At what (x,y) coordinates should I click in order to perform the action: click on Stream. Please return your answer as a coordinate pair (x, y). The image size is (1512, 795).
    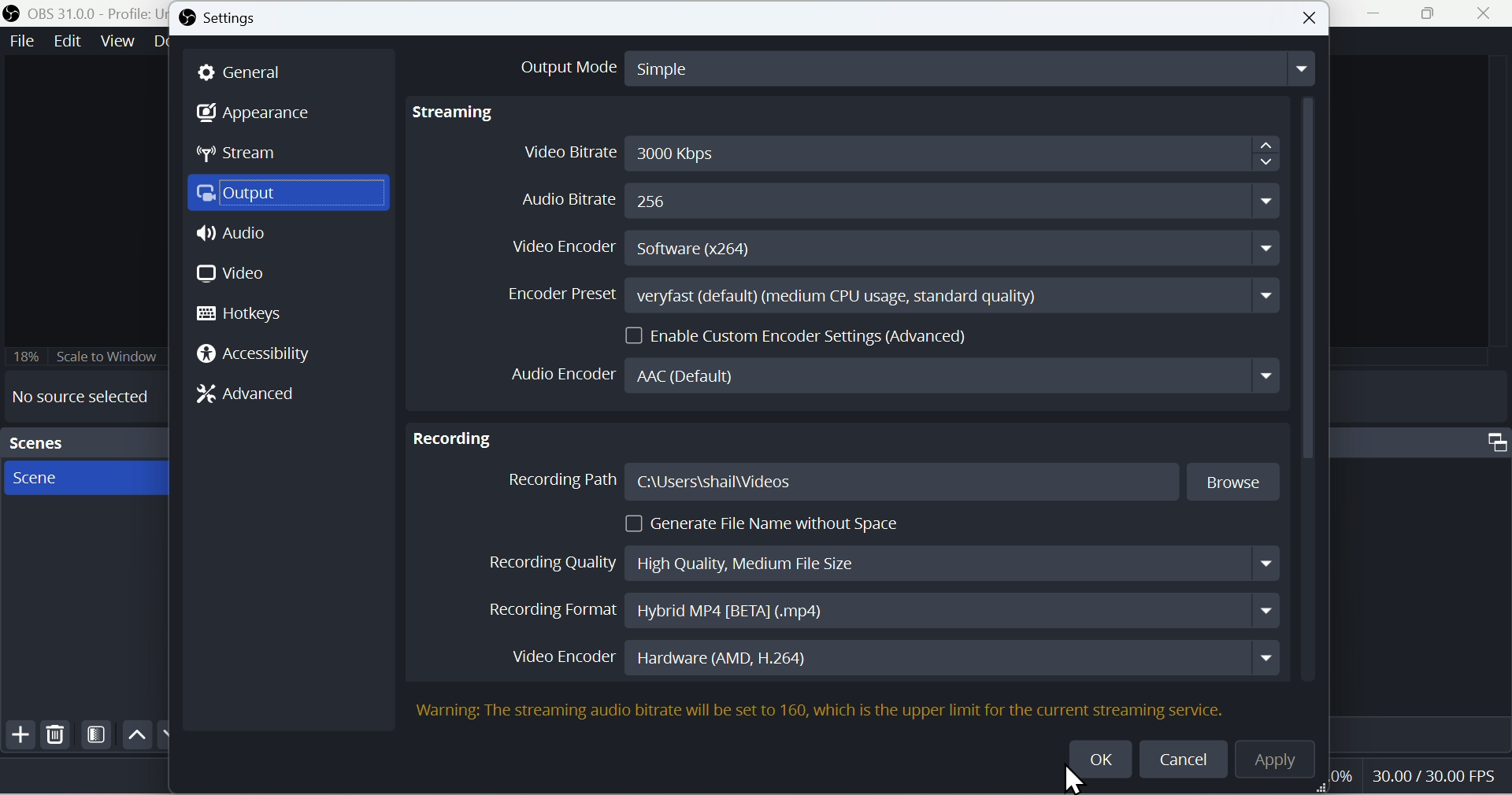
    Looking at the image, I should click on (250, 157).